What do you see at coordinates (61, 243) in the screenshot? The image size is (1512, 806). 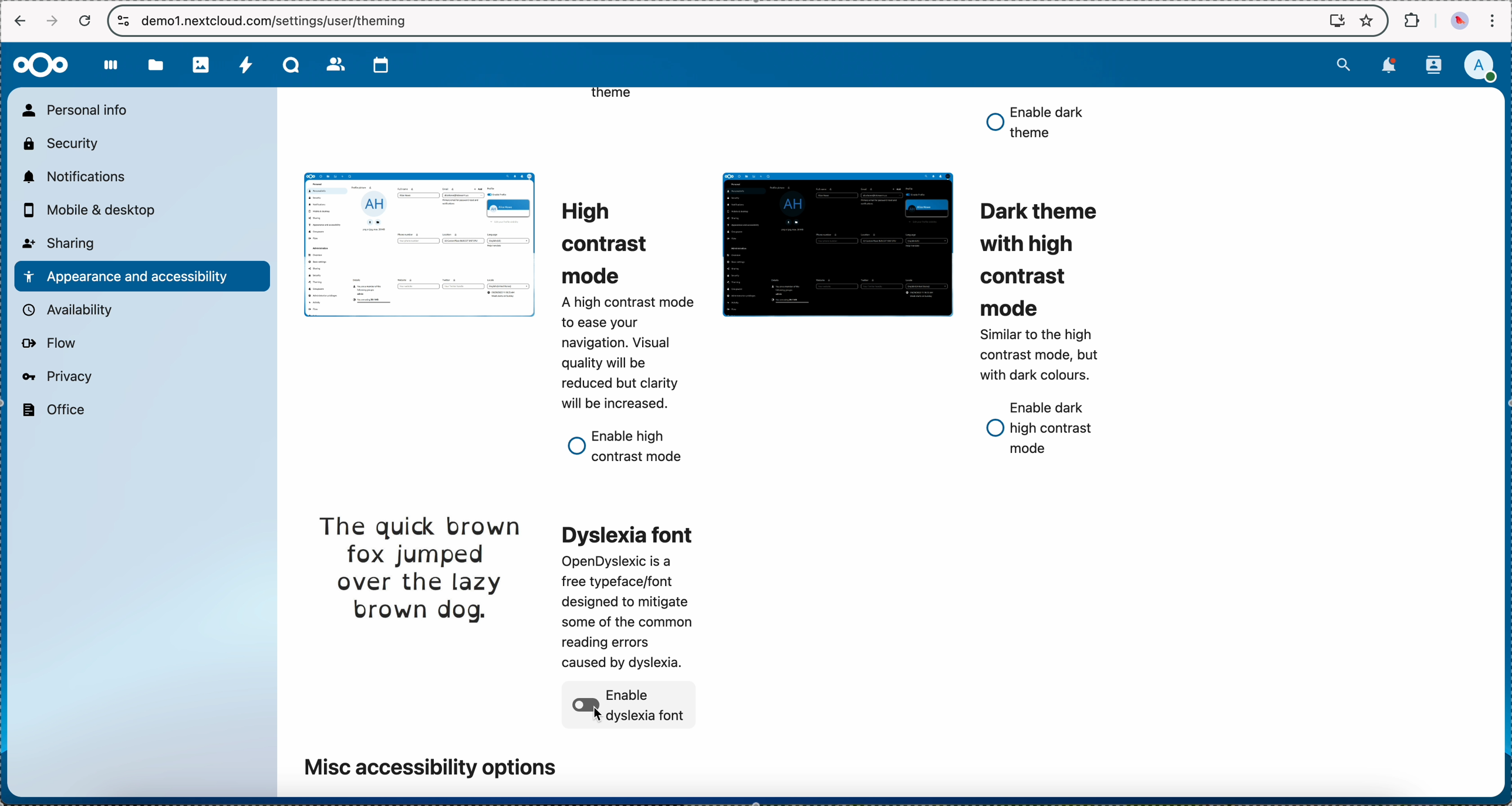 I see `sharing` at bounding box center [61, 243].